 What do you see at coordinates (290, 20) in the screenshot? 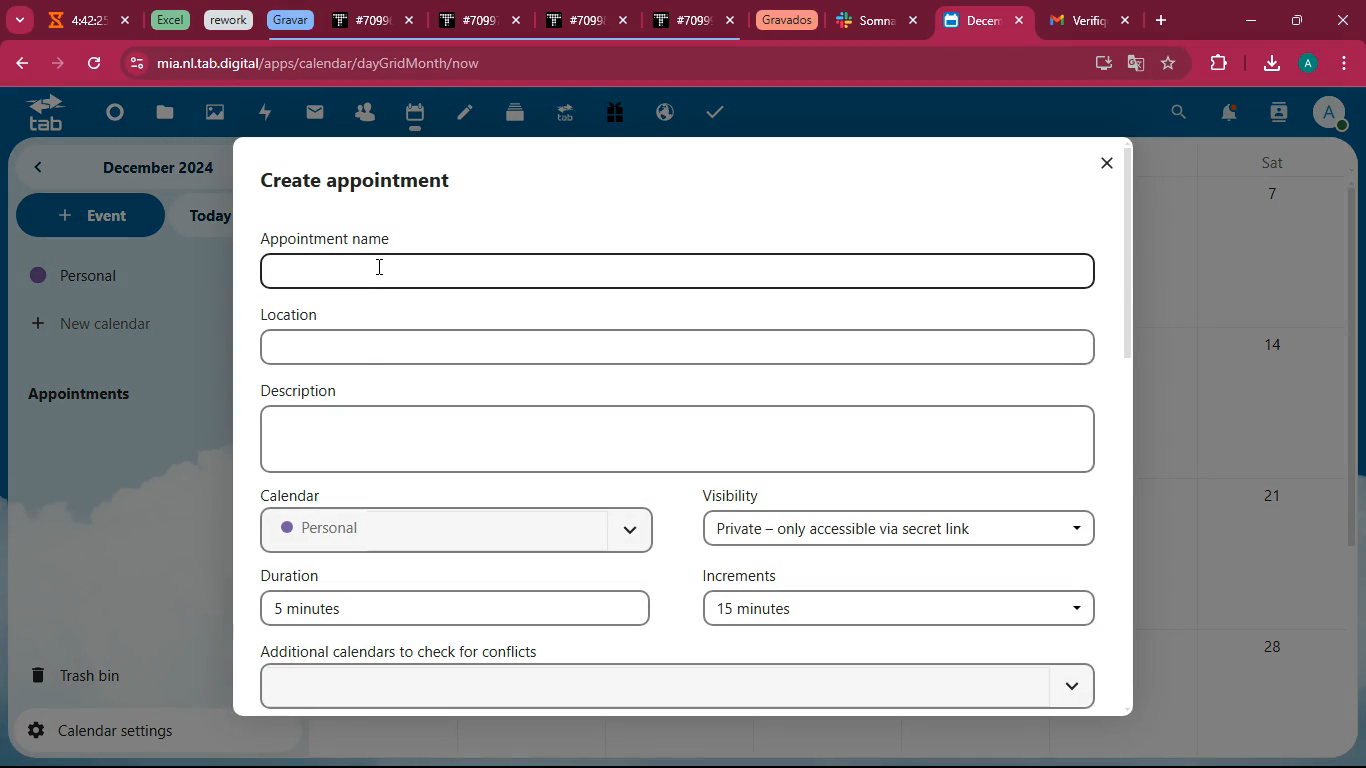
I see `tab` at bounding box center [290, 20].